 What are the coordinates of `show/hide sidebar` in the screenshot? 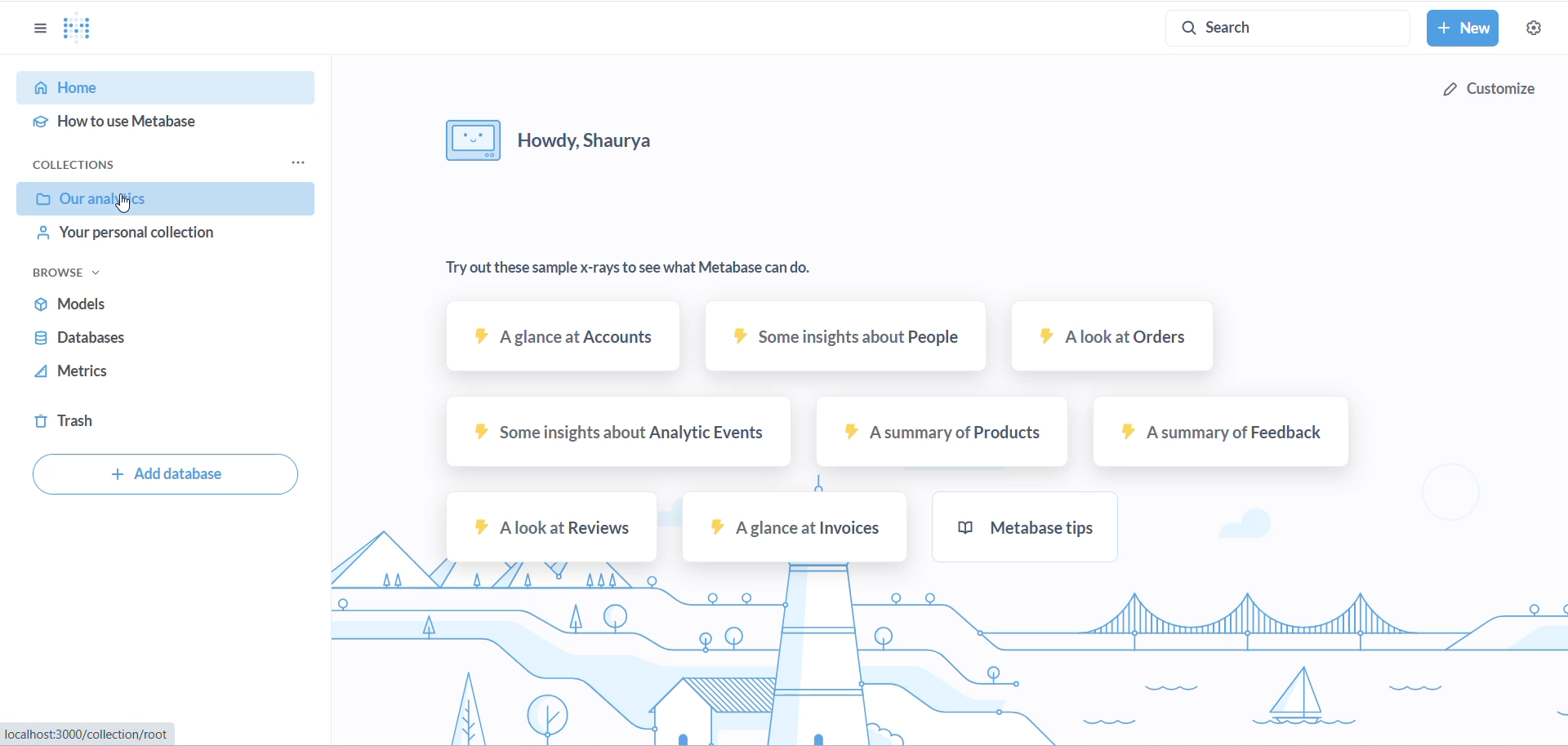 It's located at (29, 23).